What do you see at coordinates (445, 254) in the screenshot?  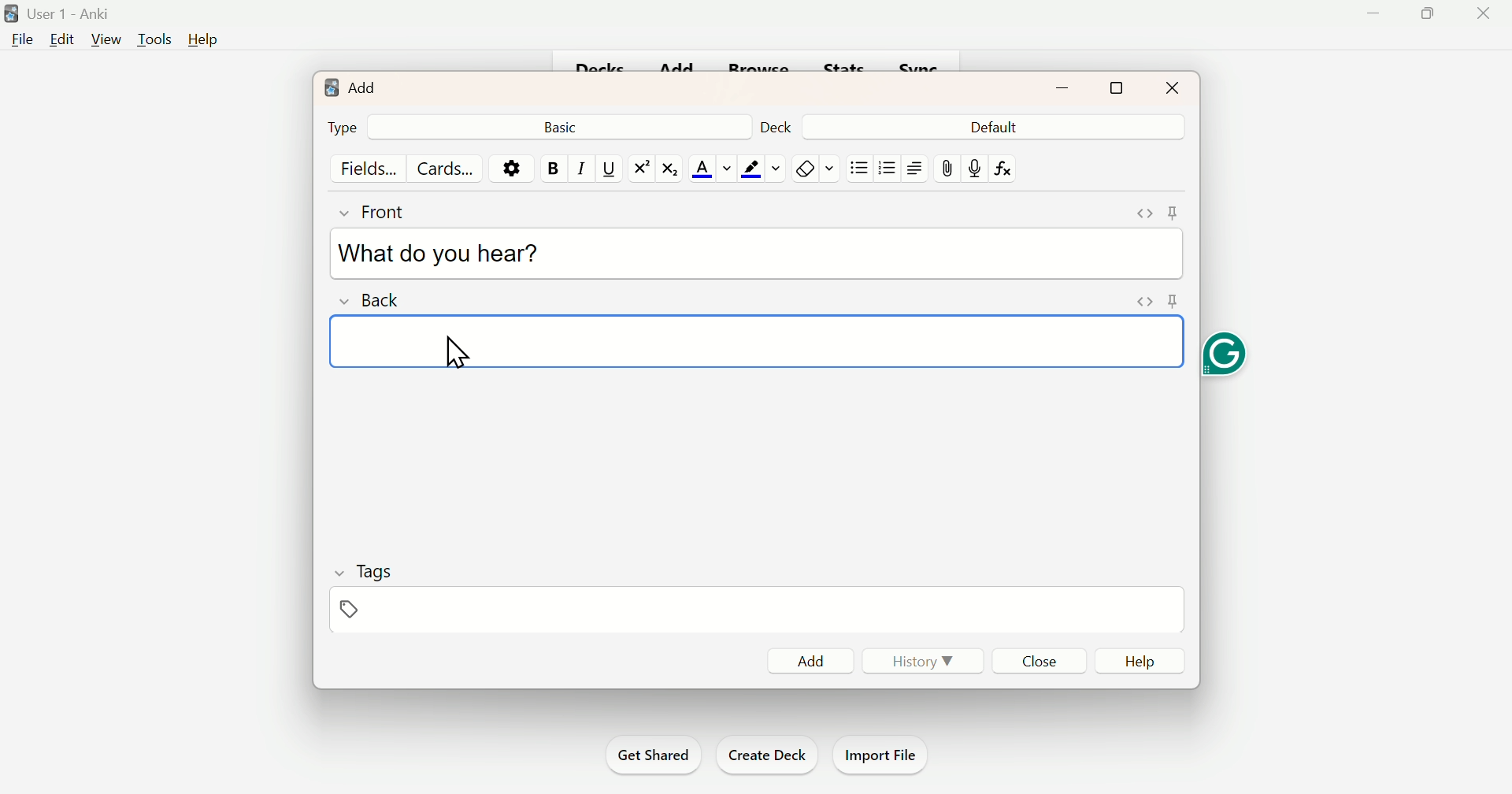 I see `What do you hear?` at bounding box center [445, 254].